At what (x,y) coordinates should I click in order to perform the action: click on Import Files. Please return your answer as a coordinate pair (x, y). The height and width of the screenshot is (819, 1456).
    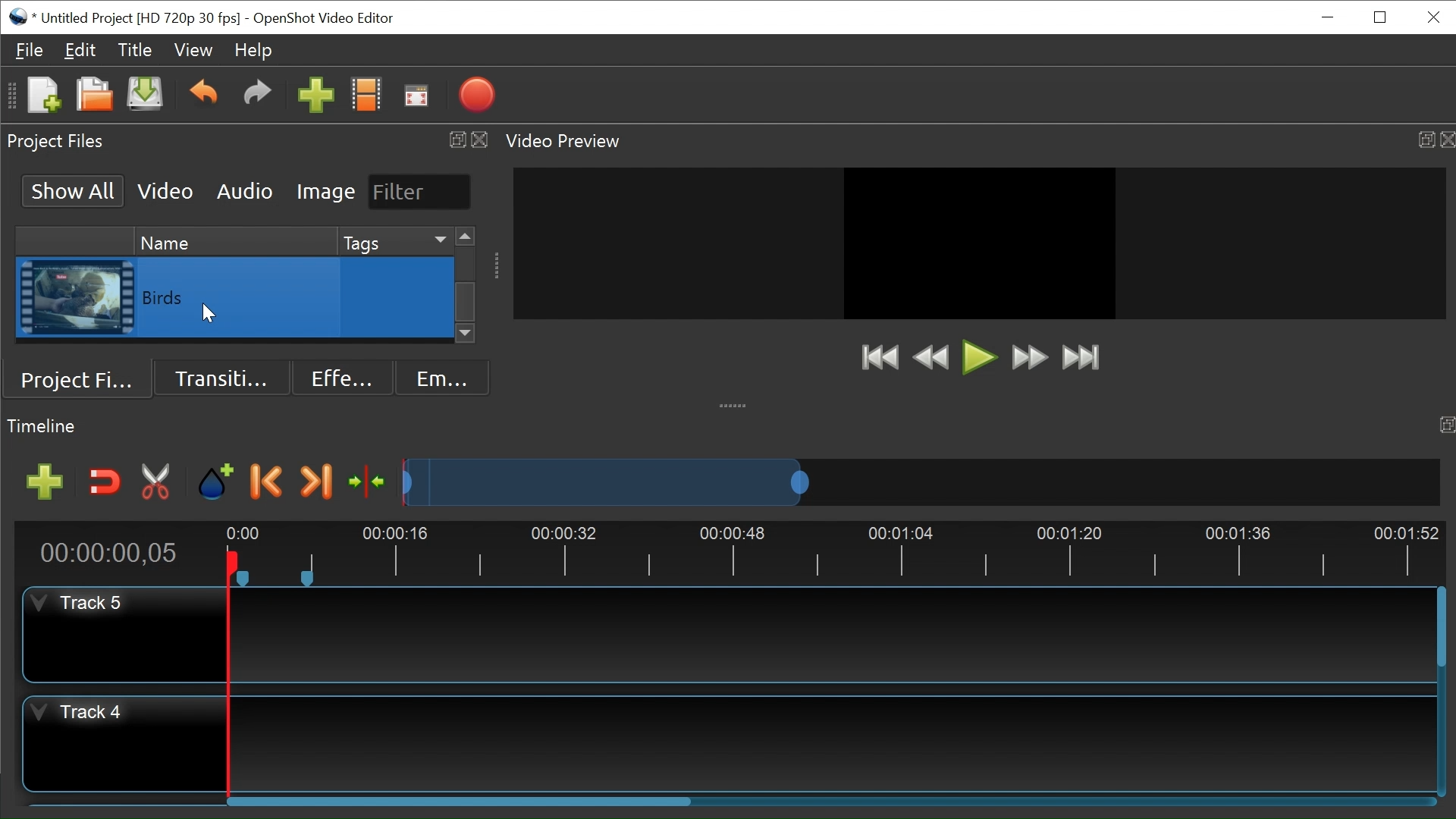
    Looking at the image, I should click on (315, 96).